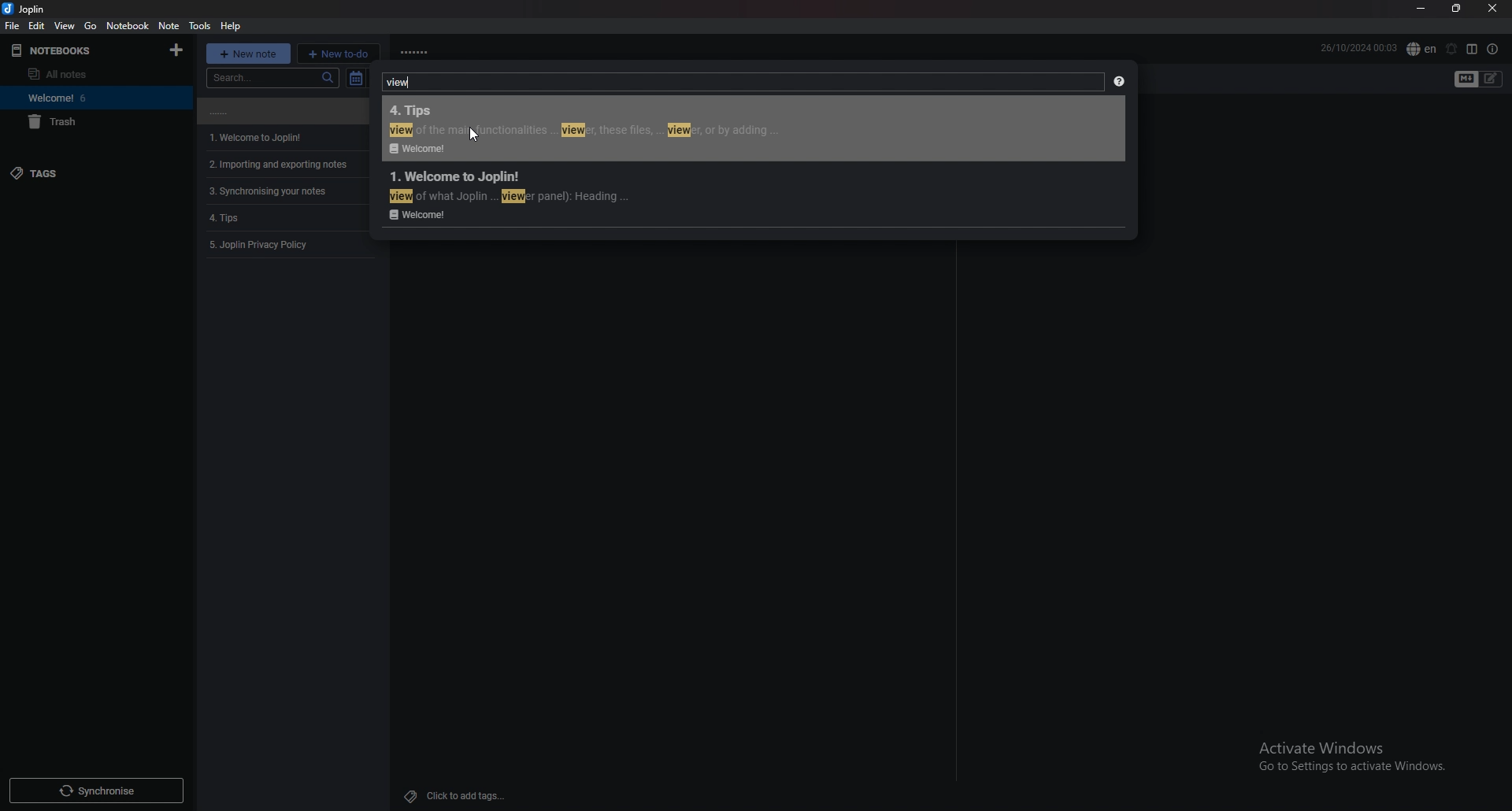 This screenshot has height=811, width=1512. Describe the element at coordinates (169, 25) in the screenshot. I see `note` at that location.